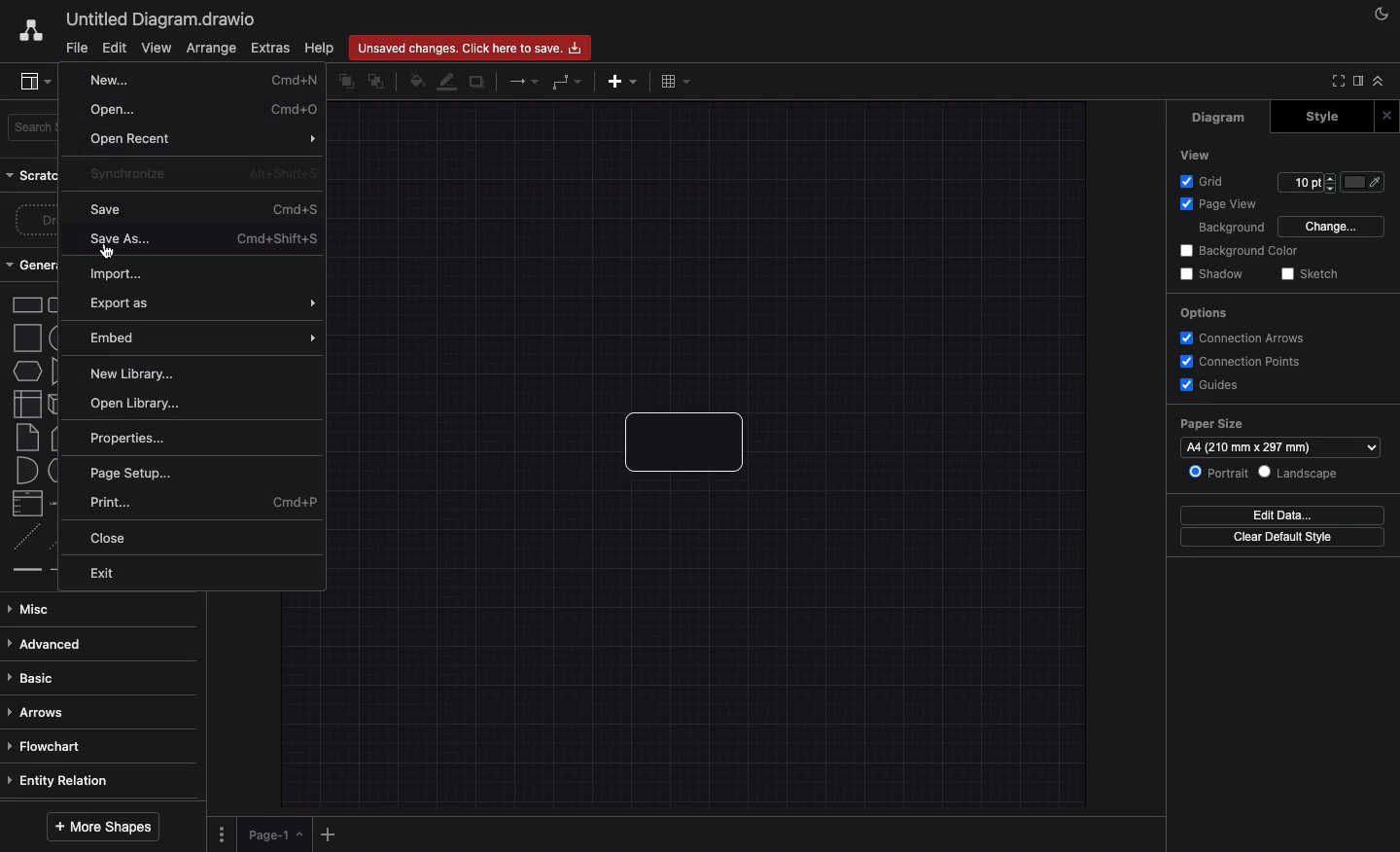 This screenshot has width=1400, height=852. What do you see at coordinates (202, 84) in the screenshot?
I see `New` at bounding box center [202, 84].